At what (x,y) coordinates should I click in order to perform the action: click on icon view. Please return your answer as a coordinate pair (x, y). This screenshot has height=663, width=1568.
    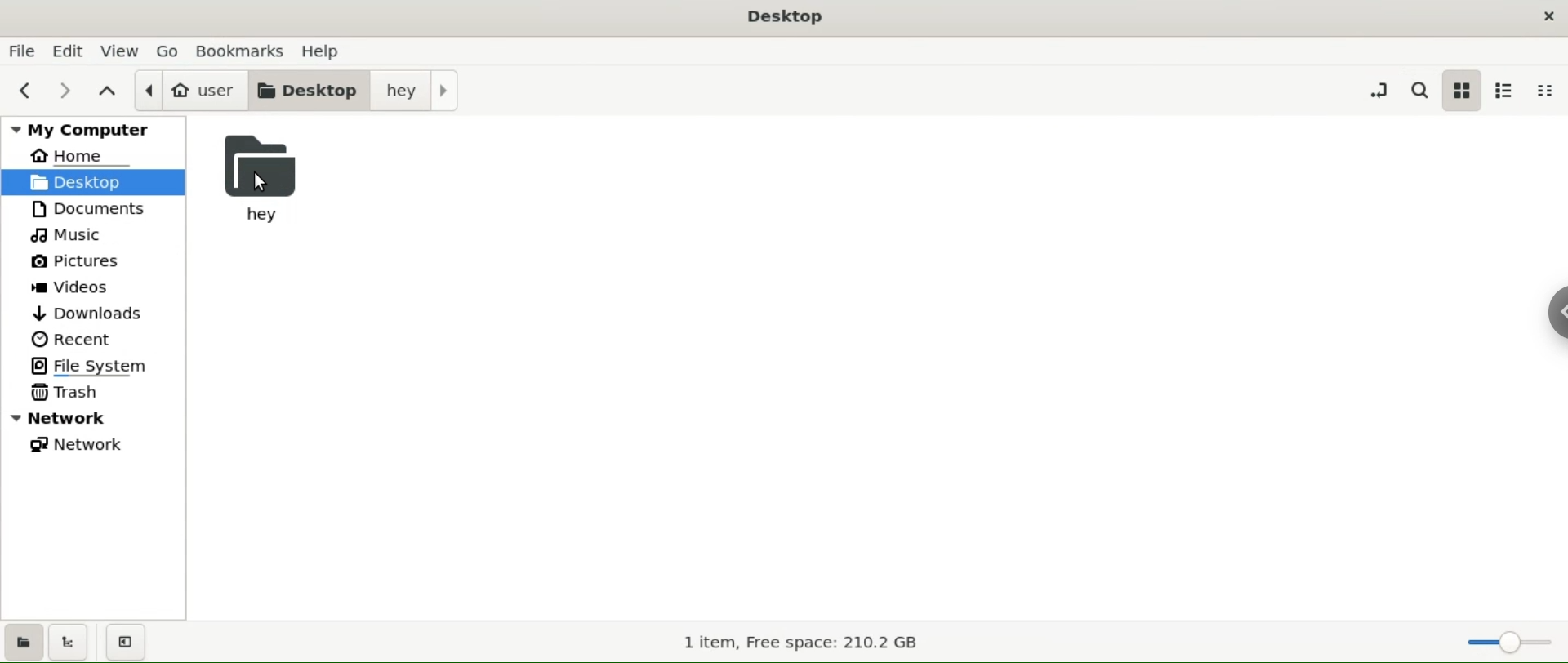
    Looking at the image, I should click on (1461, 91).